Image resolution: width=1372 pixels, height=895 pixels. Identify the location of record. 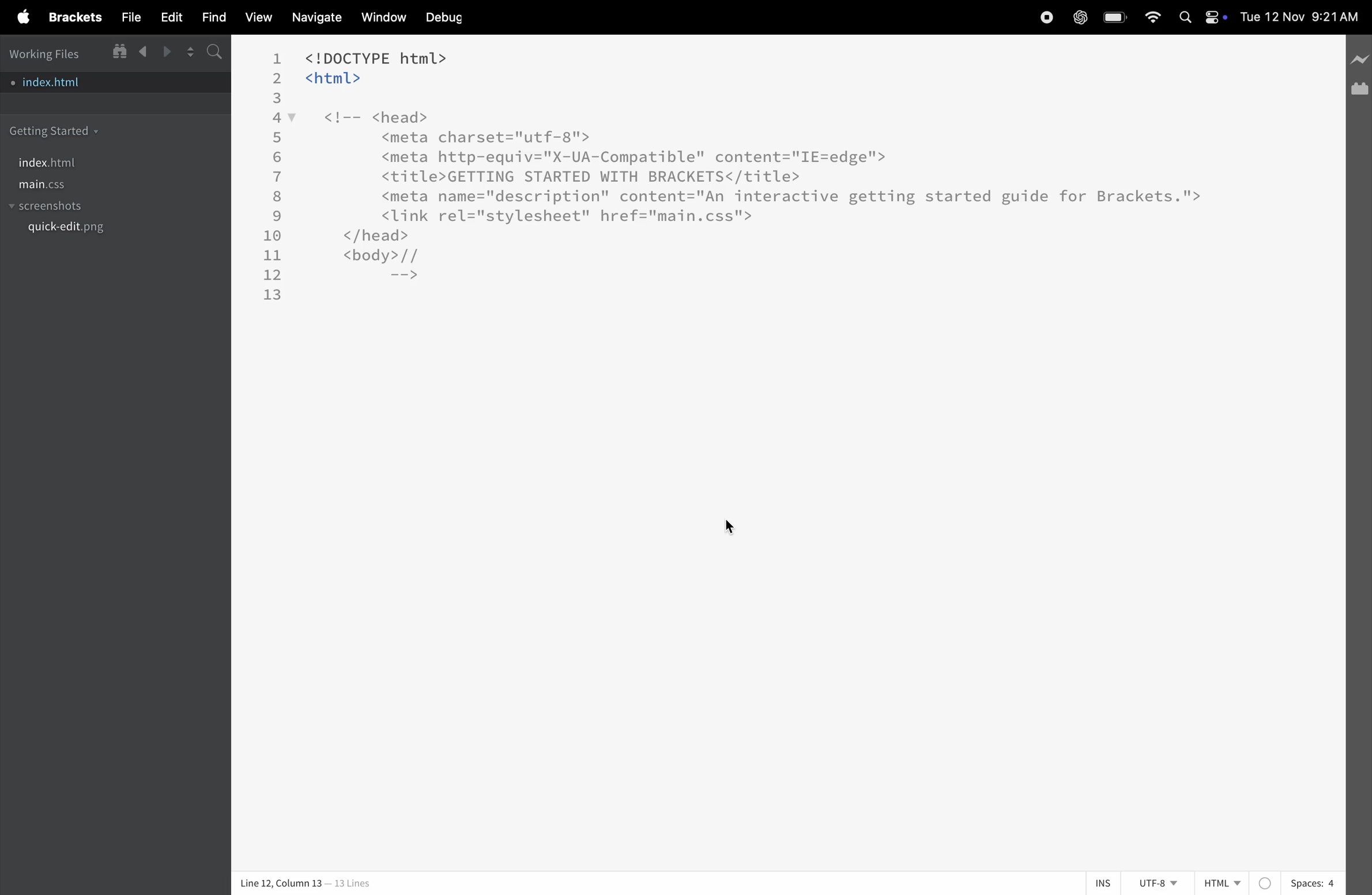
(1045, 17).